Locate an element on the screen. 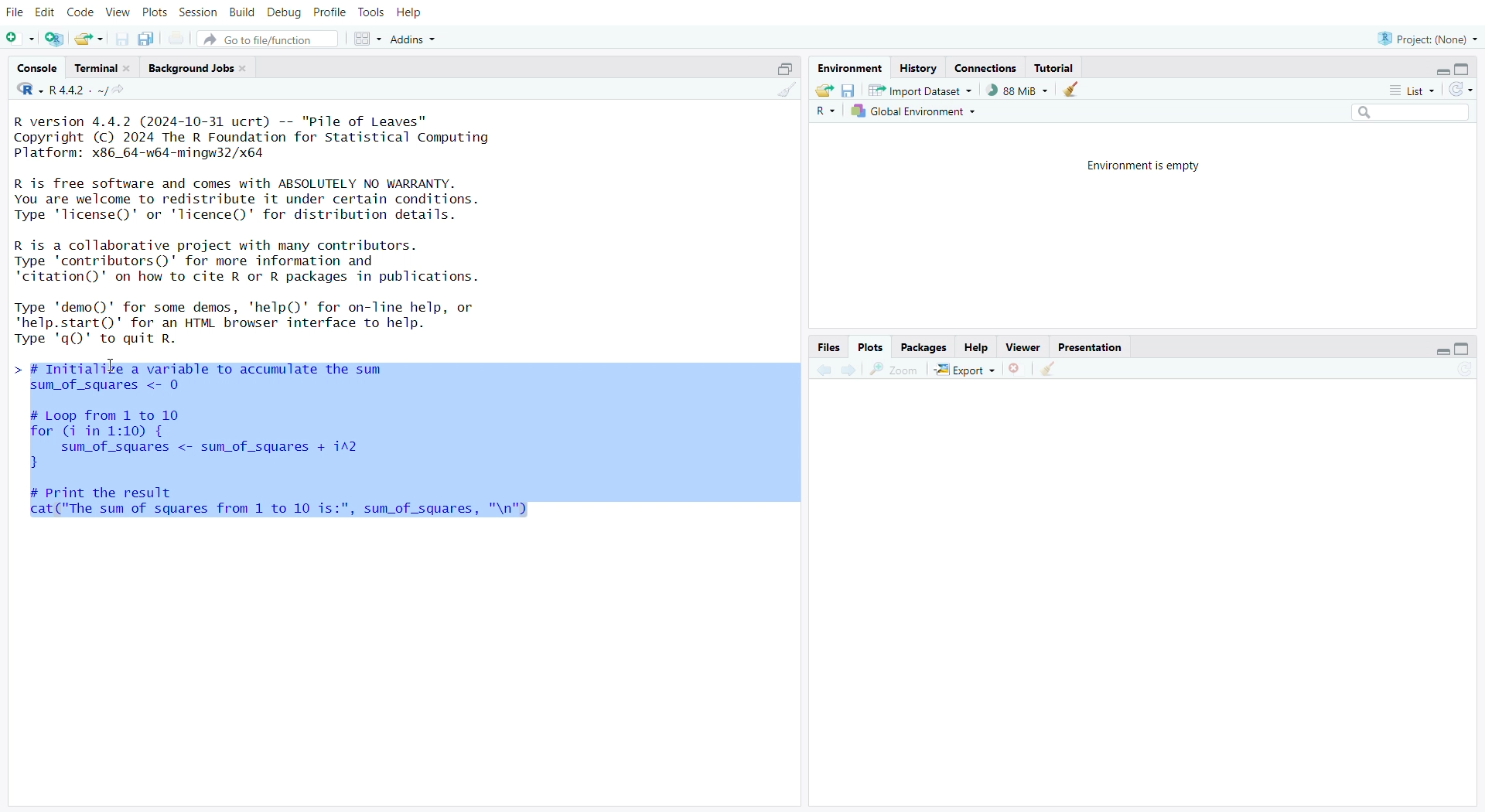 This screenshot has height=812, width=1485. build is located at coordinates (242, 14).